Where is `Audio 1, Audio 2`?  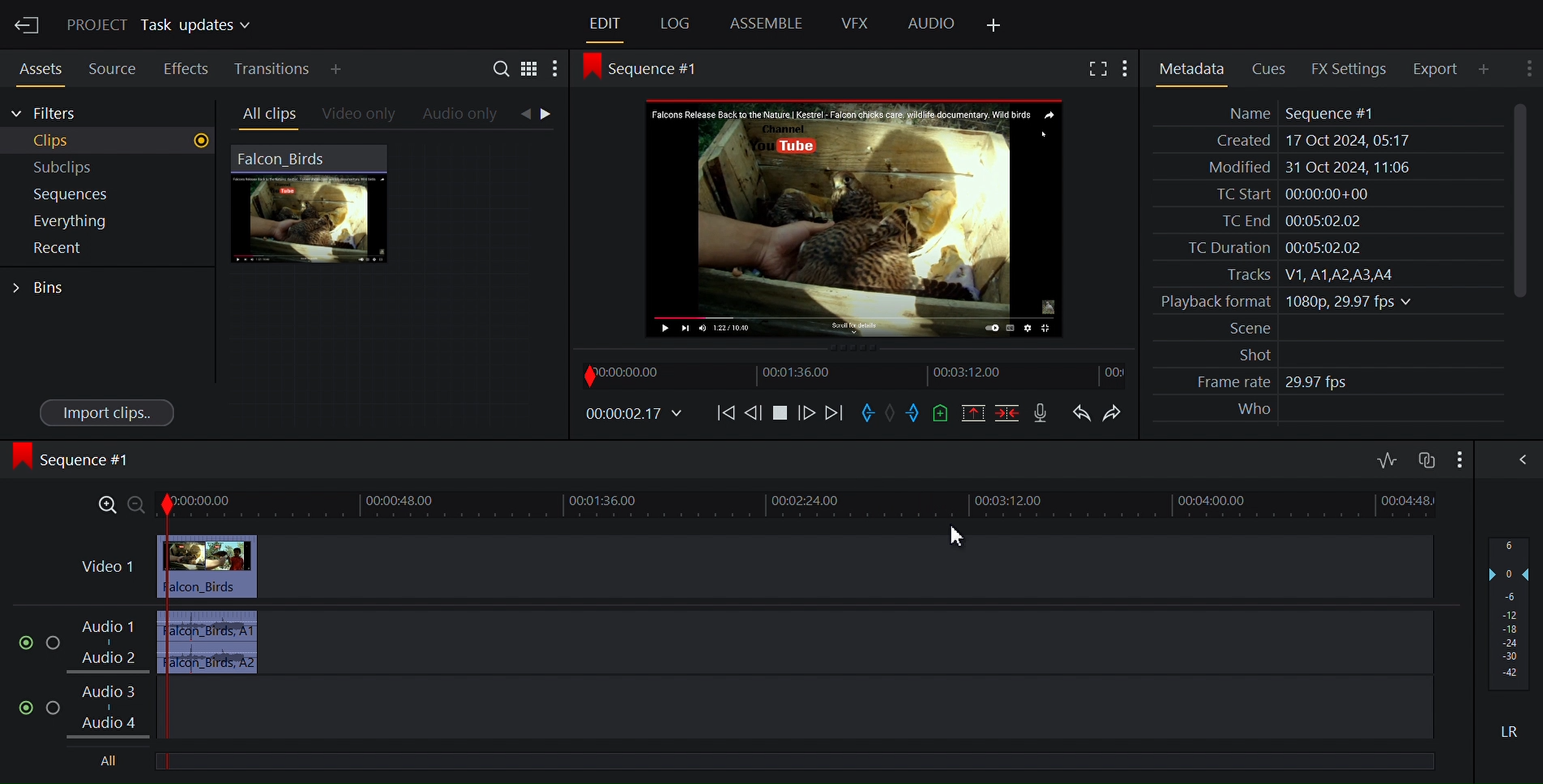
Audio 1, Audio 2 is located at coordinates (750, 716).